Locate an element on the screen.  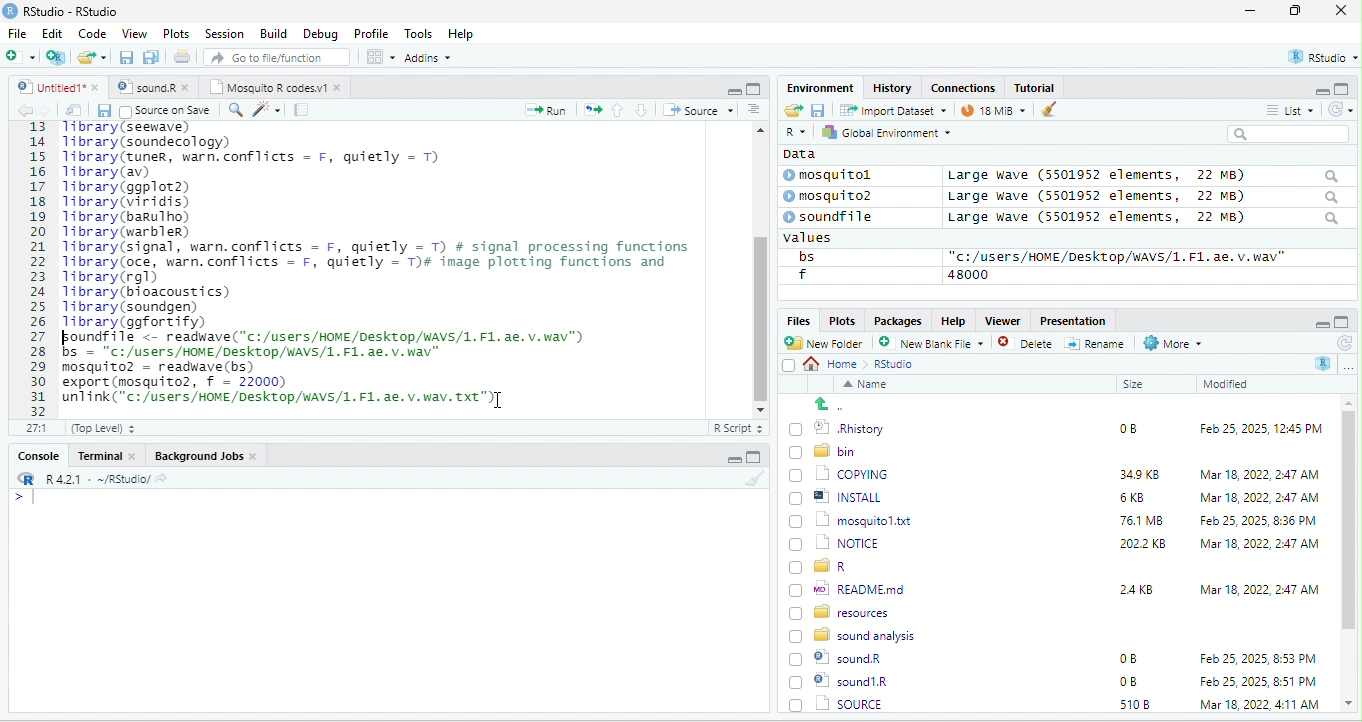
 More  is located at coordinates (1171, 344).